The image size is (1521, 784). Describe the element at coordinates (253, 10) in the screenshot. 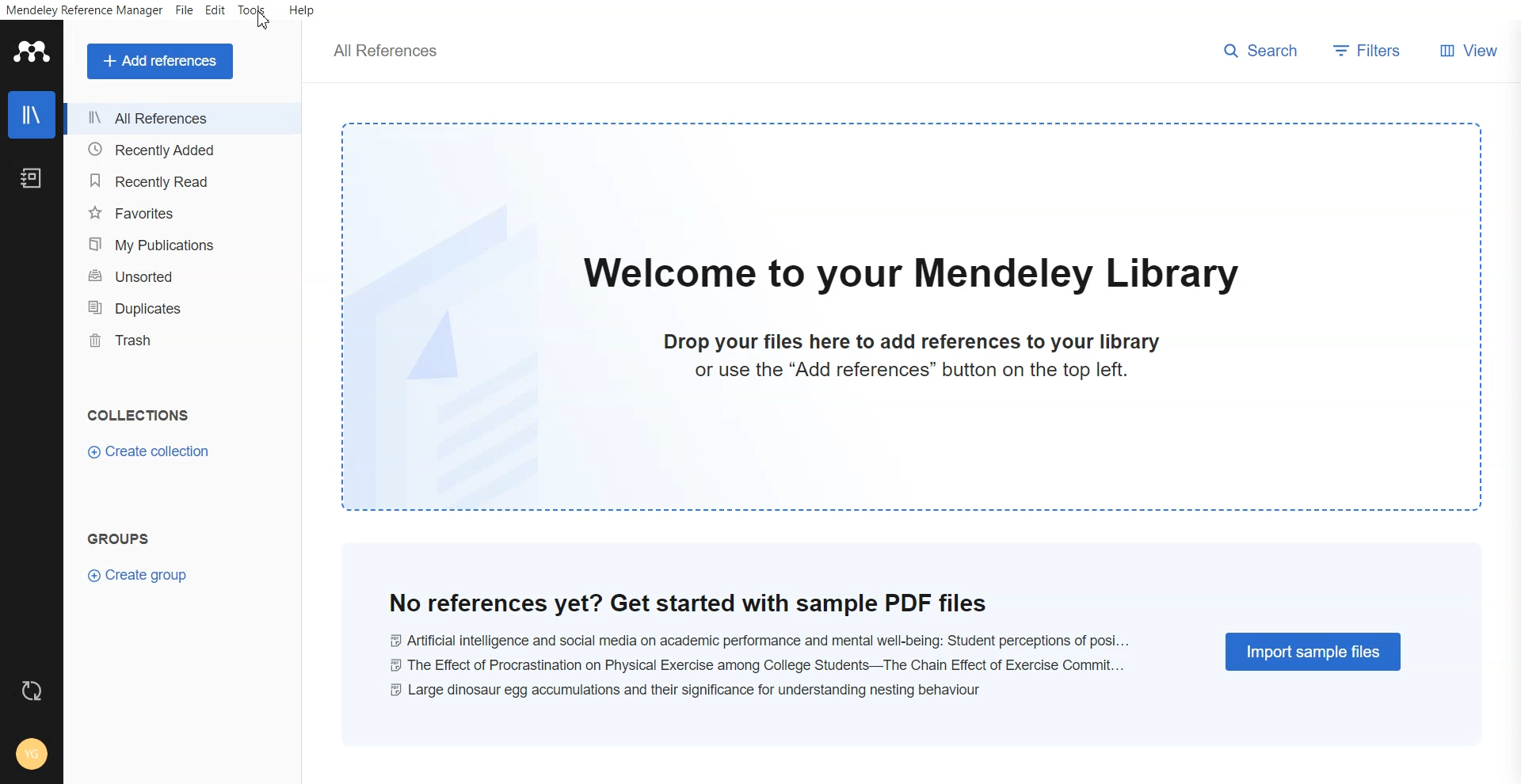

I see `Tools` at that location.